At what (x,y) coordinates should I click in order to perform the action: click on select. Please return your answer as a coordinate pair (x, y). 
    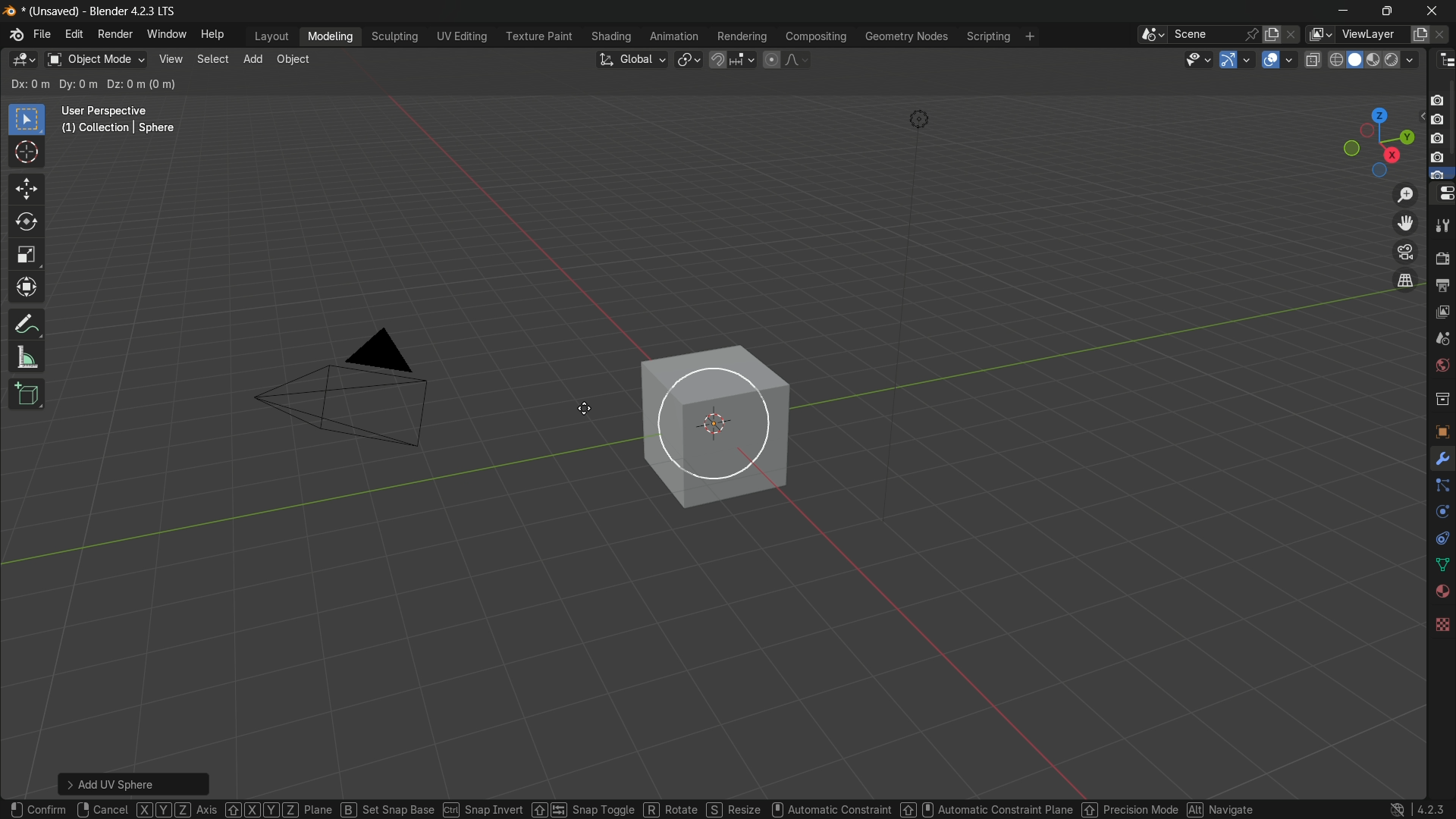
    Looking at the image, I should click on (212, 58).